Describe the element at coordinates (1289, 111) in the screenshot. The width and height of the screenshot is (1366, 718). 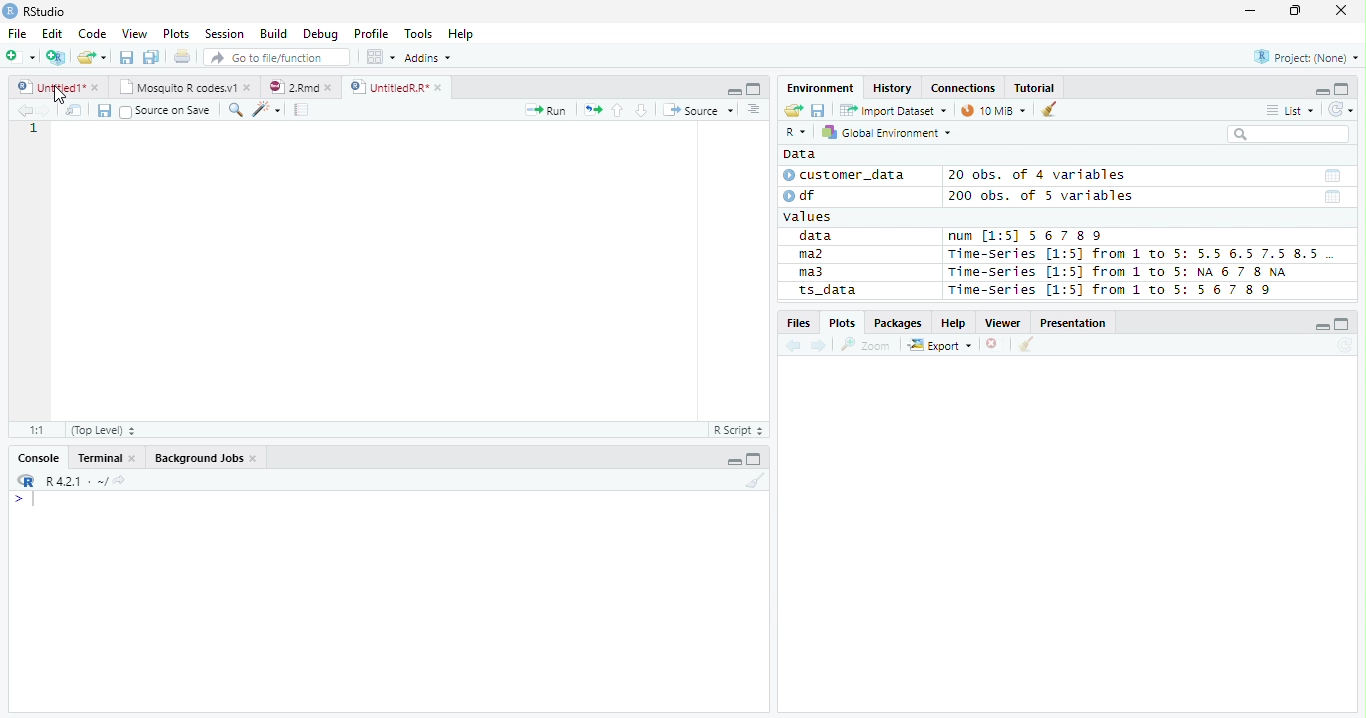
I see `List` at that location.